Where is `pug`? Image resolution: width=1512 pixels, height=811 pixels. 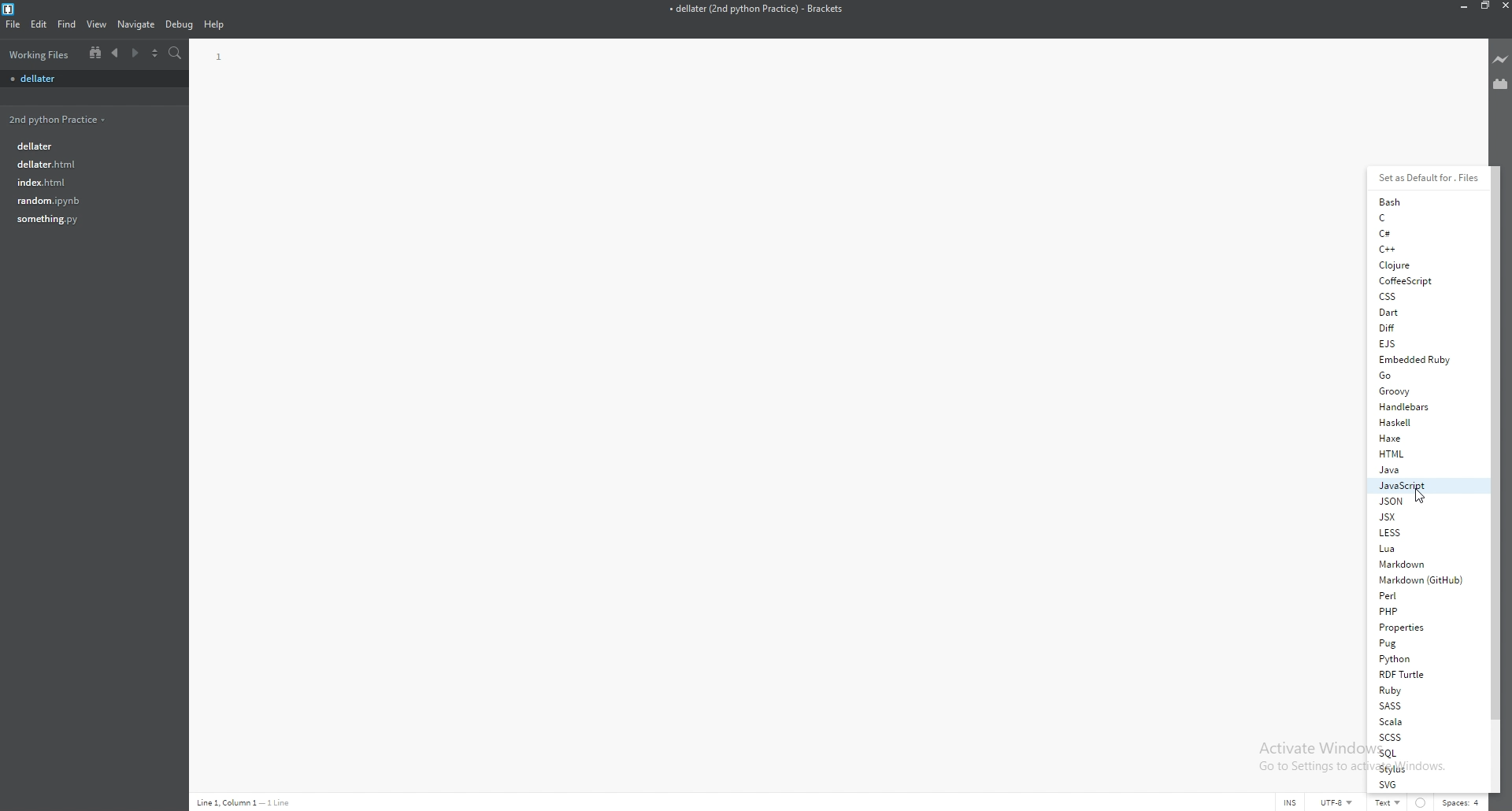 pug is located at coordinates (1421, 644).